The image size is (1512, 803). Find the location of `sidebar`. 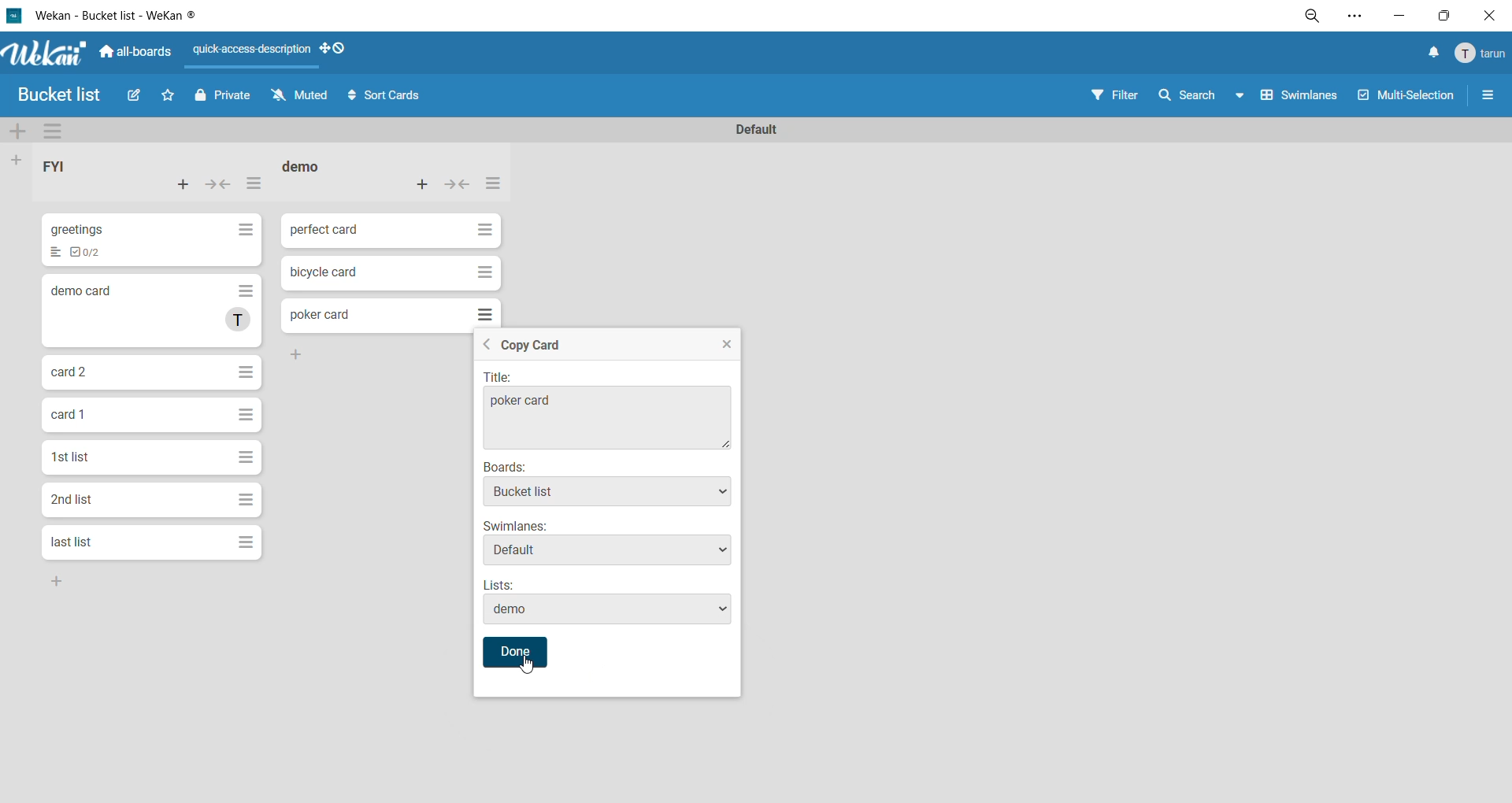

sidebar is located at coordinates (1488, 98).